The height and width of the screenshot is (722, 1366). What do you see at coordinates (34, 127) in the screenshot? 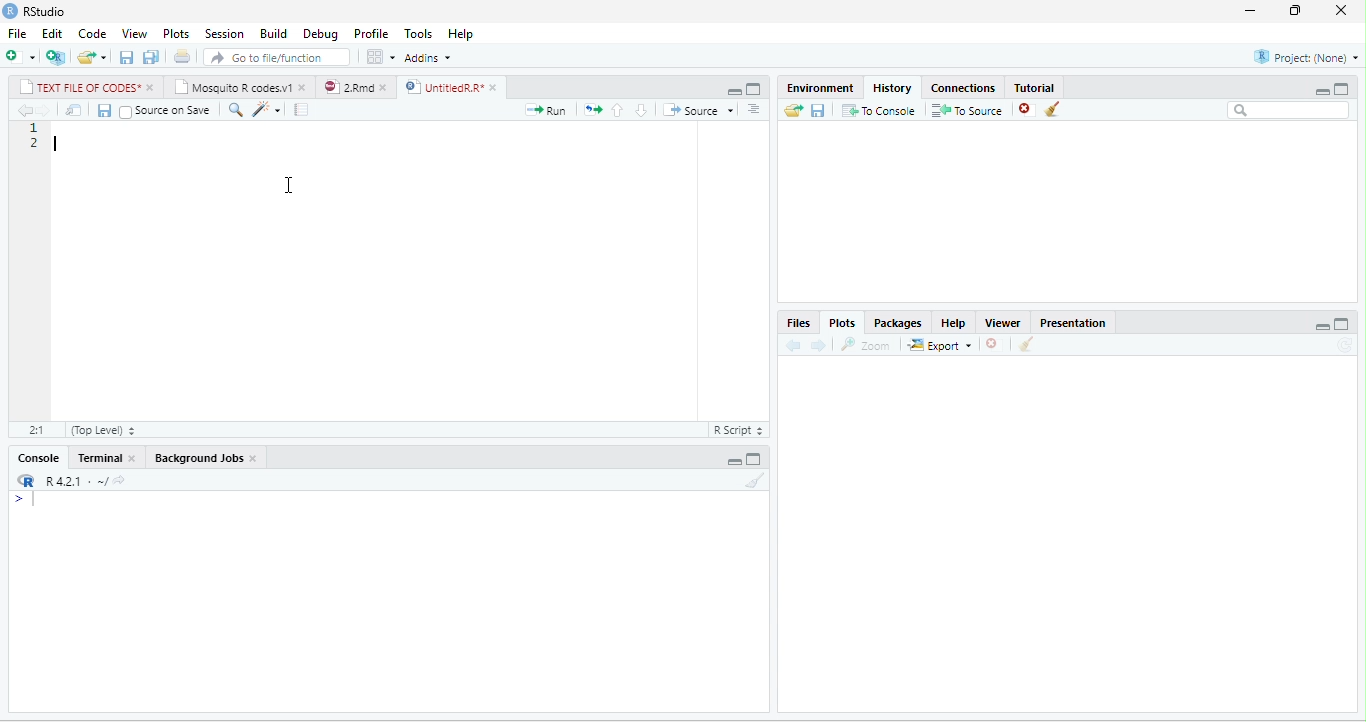
I see `1` at bounding box center [34, 127].